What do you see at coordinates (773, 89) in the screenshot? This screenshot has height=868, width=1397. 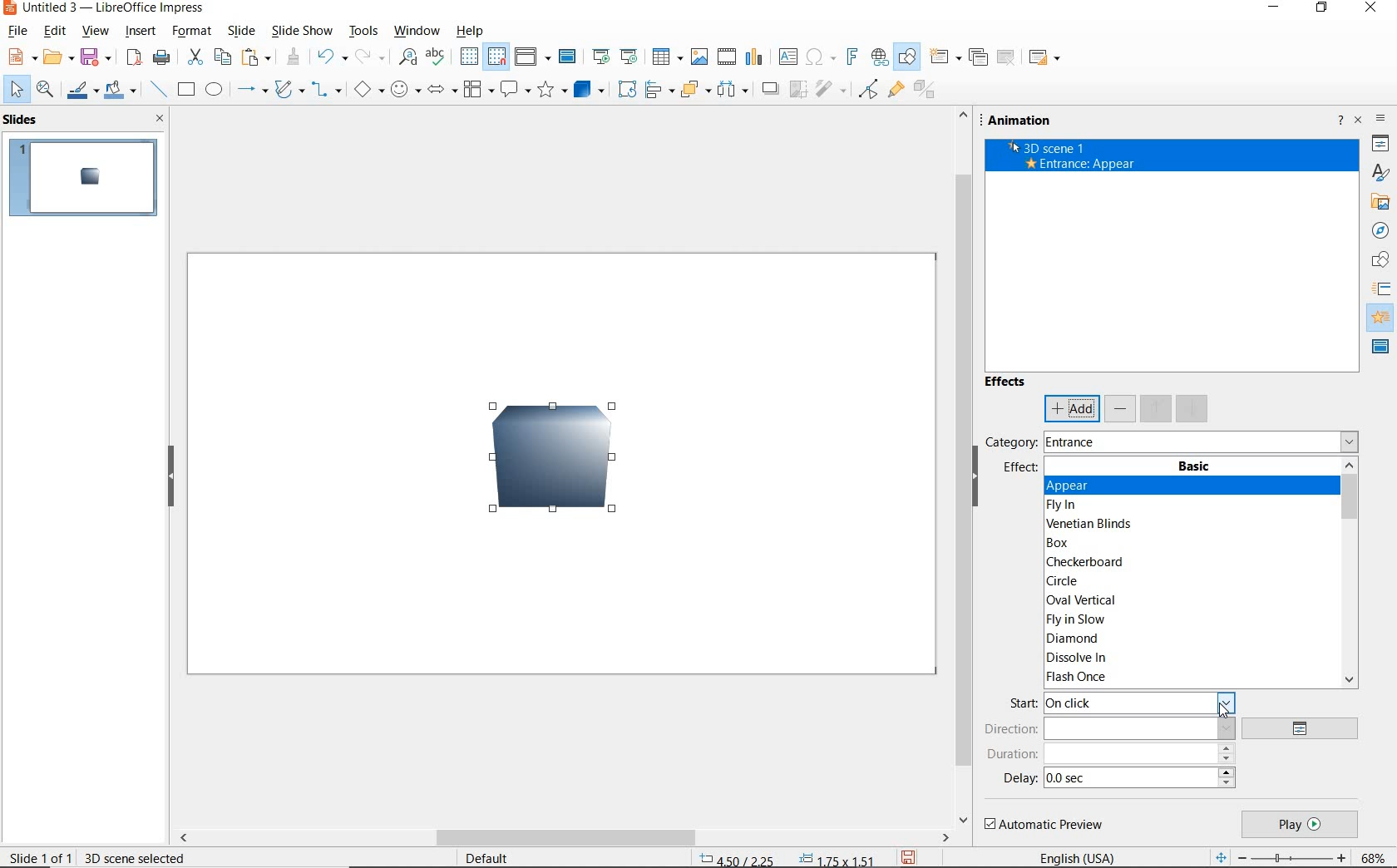 I see `shadow` at bounding box center [773, 89].